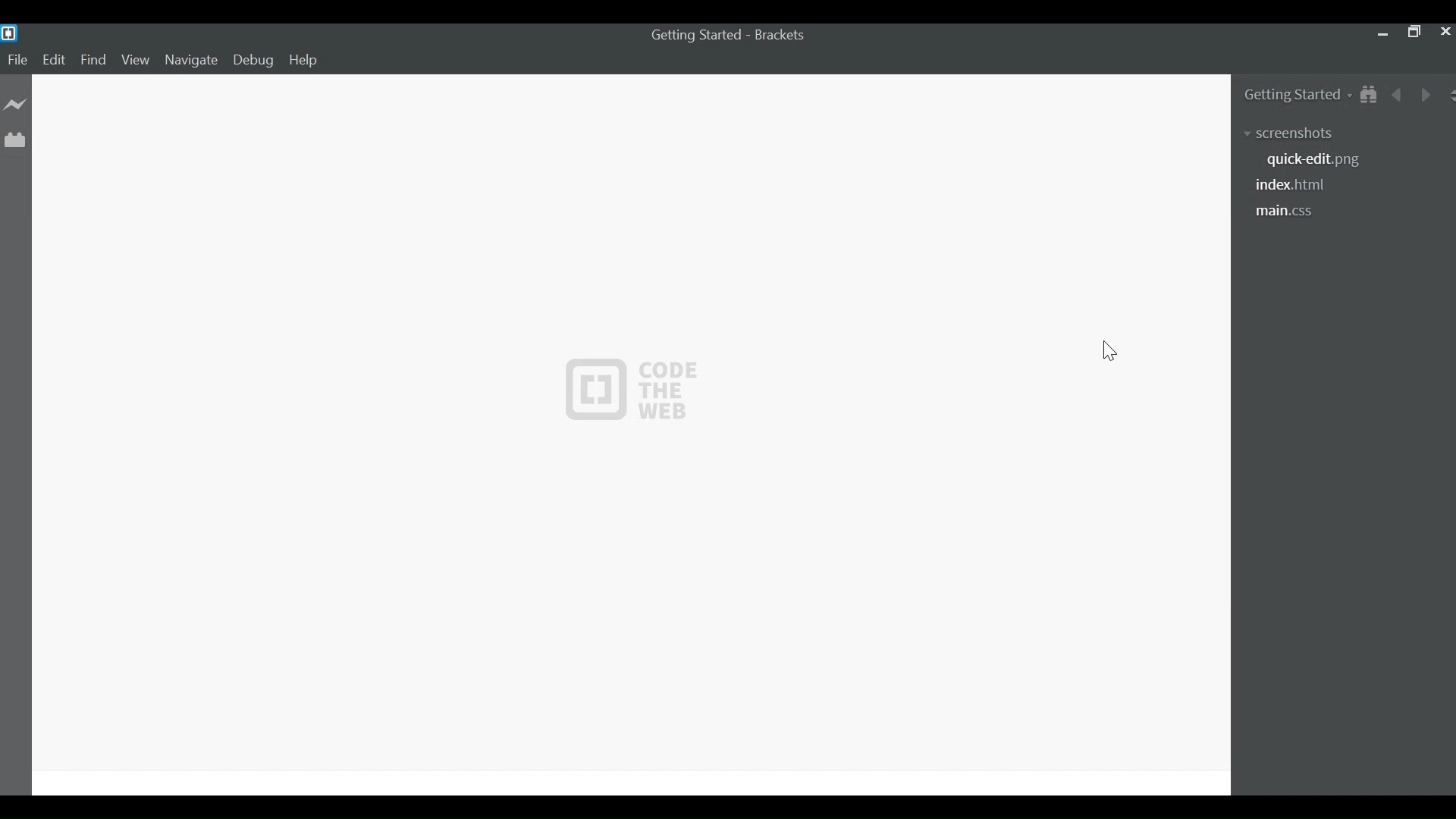 The height and width of the screenshot is (819, 1456). Describe the element at coordinates (1447, 93) in the screenshot. I see `Split the Editor Vertically or Horizontally` at that location.